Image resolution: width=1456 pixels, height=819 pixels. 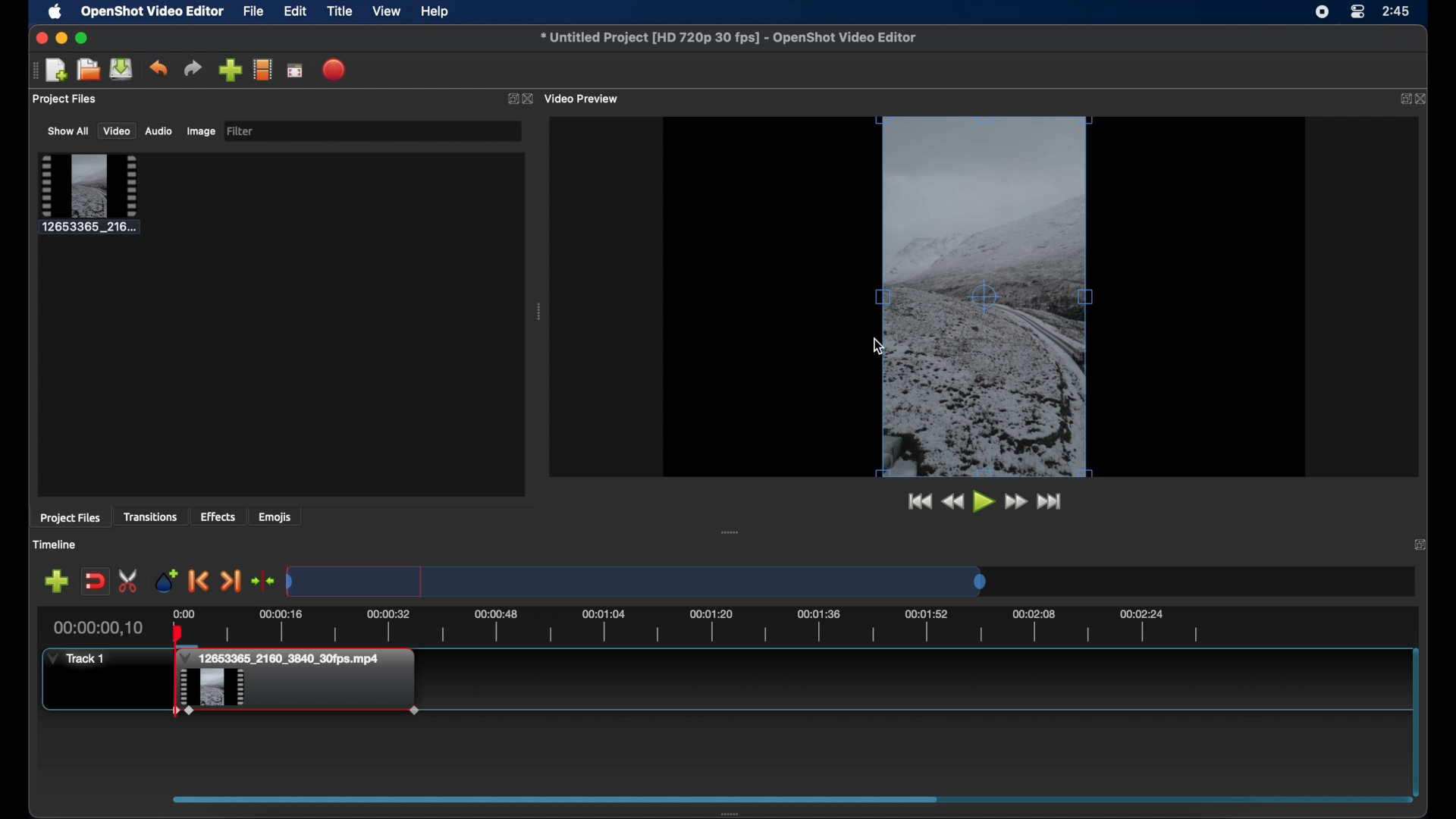 What do you see at coordinates (83, 38) in the screenshot?
I see `maximize` at bounding box center [83, 38].